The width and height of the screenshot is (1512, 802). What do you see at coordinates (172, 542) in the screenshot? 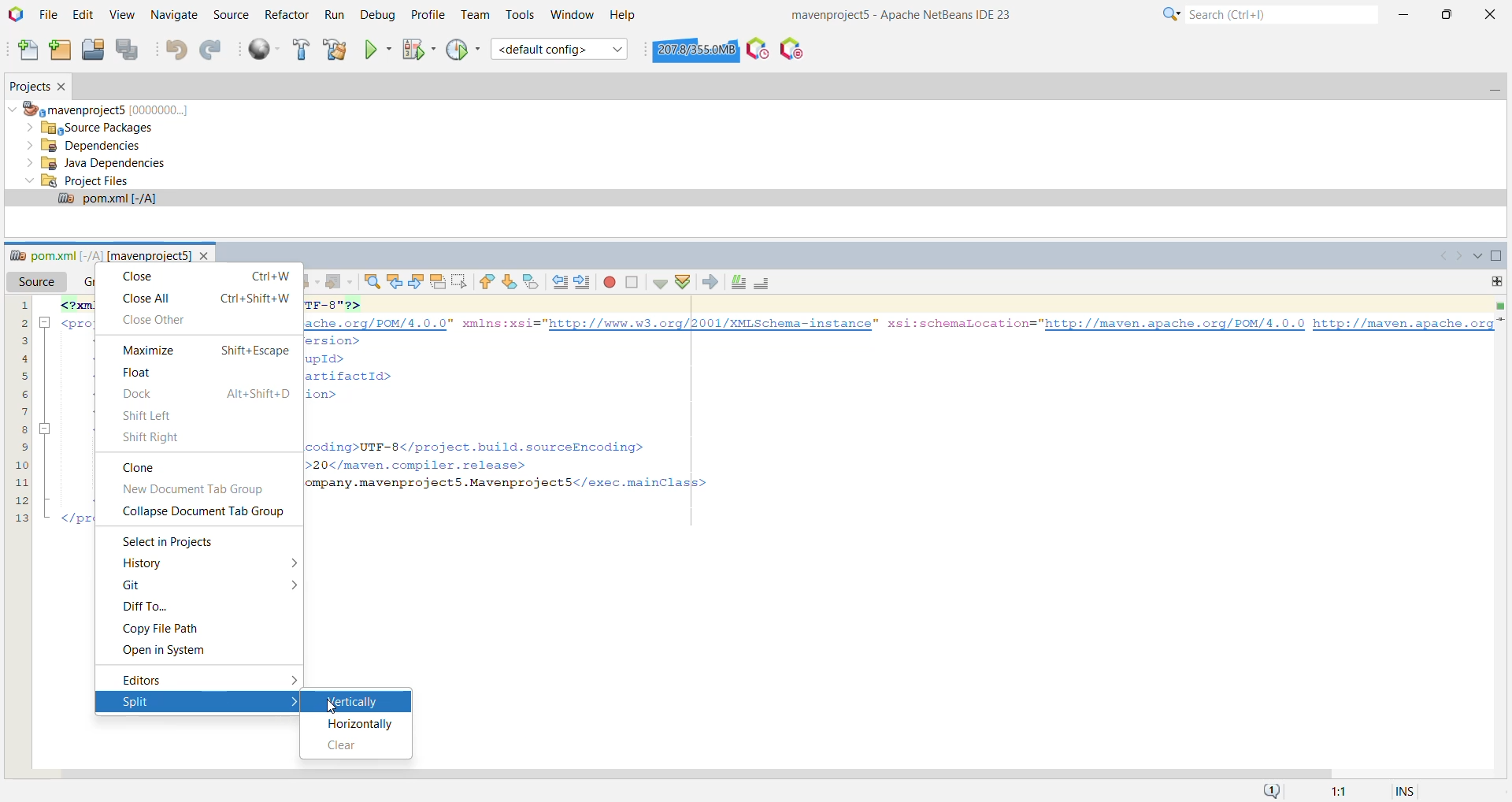
I see `Select in Projects` at bounding box center [172, 542].